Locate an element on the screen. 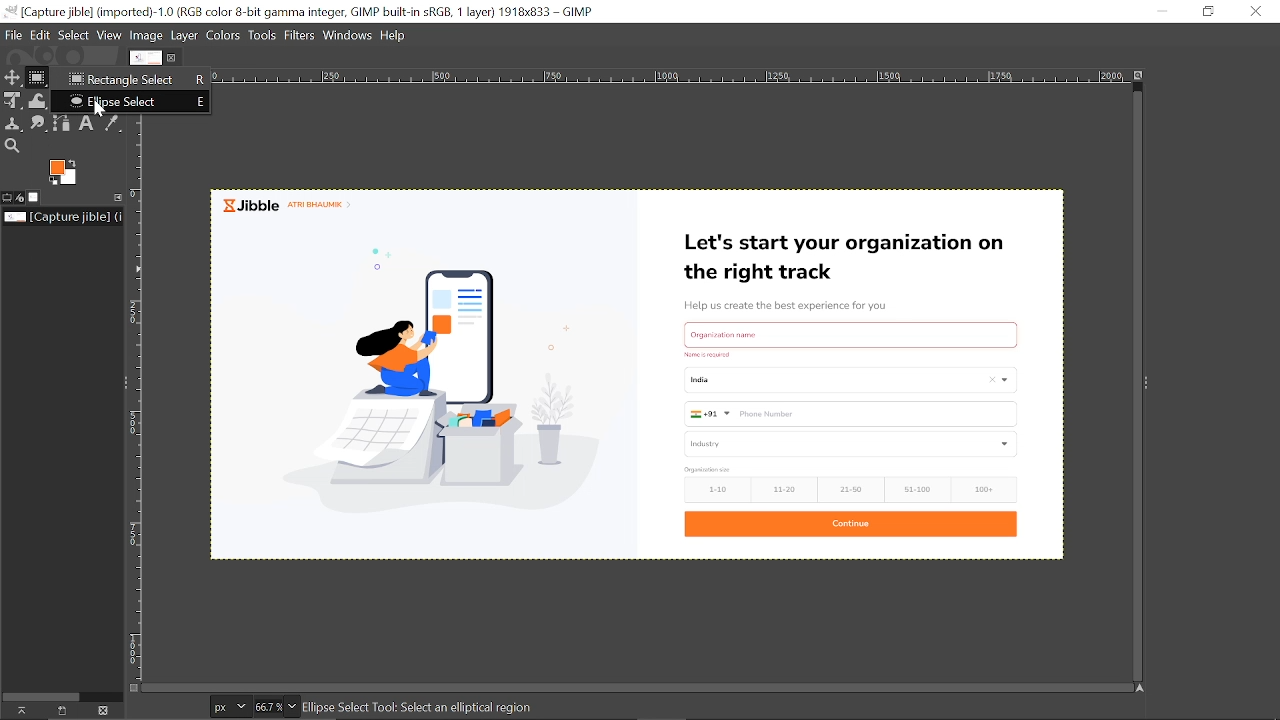  vertical scroll bar is located at coordinates (1128, 381).